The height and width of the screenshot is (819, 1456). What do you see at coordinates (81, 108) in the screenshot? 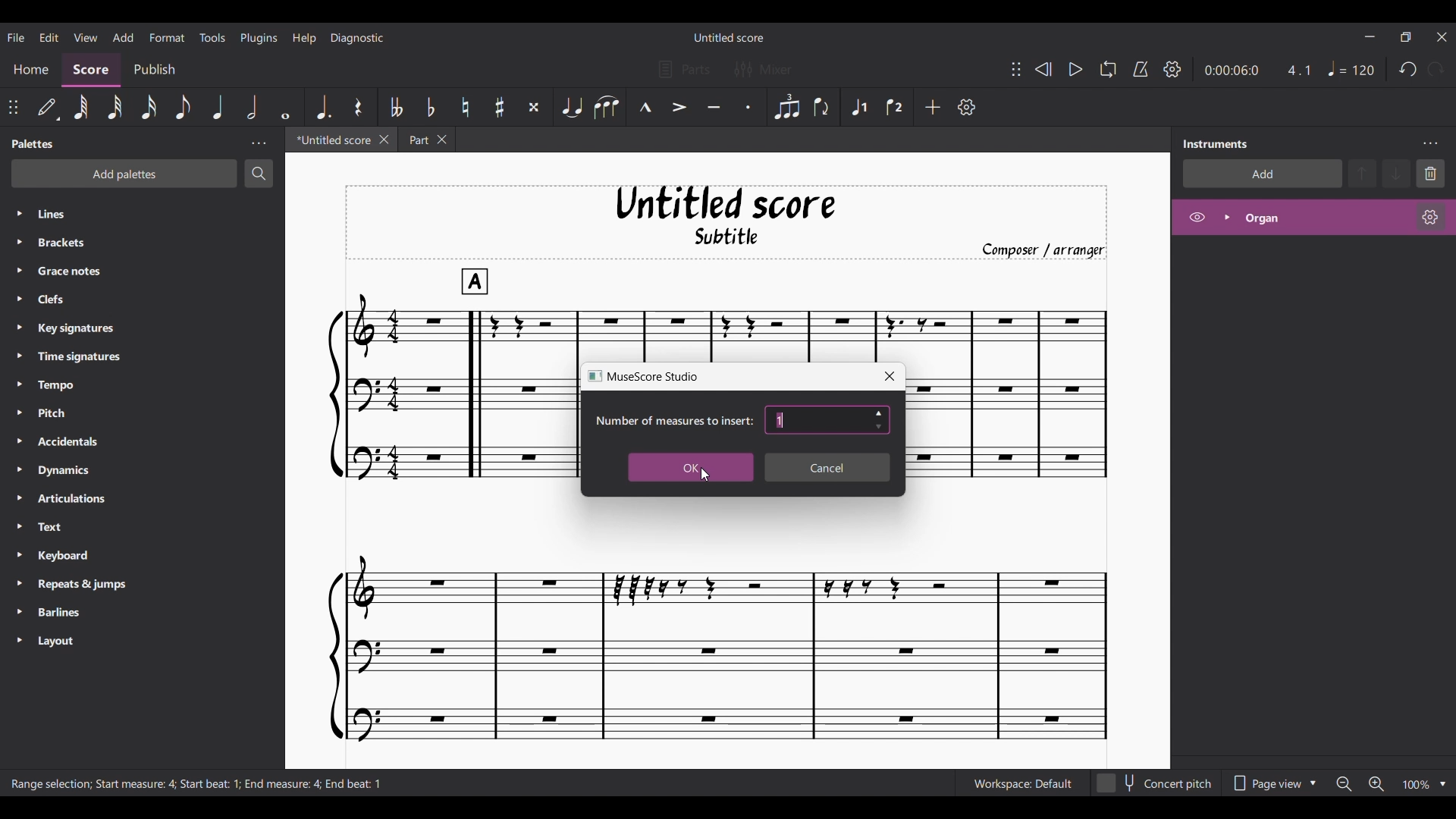
I see `64th note` at bounding box center [81, 108].